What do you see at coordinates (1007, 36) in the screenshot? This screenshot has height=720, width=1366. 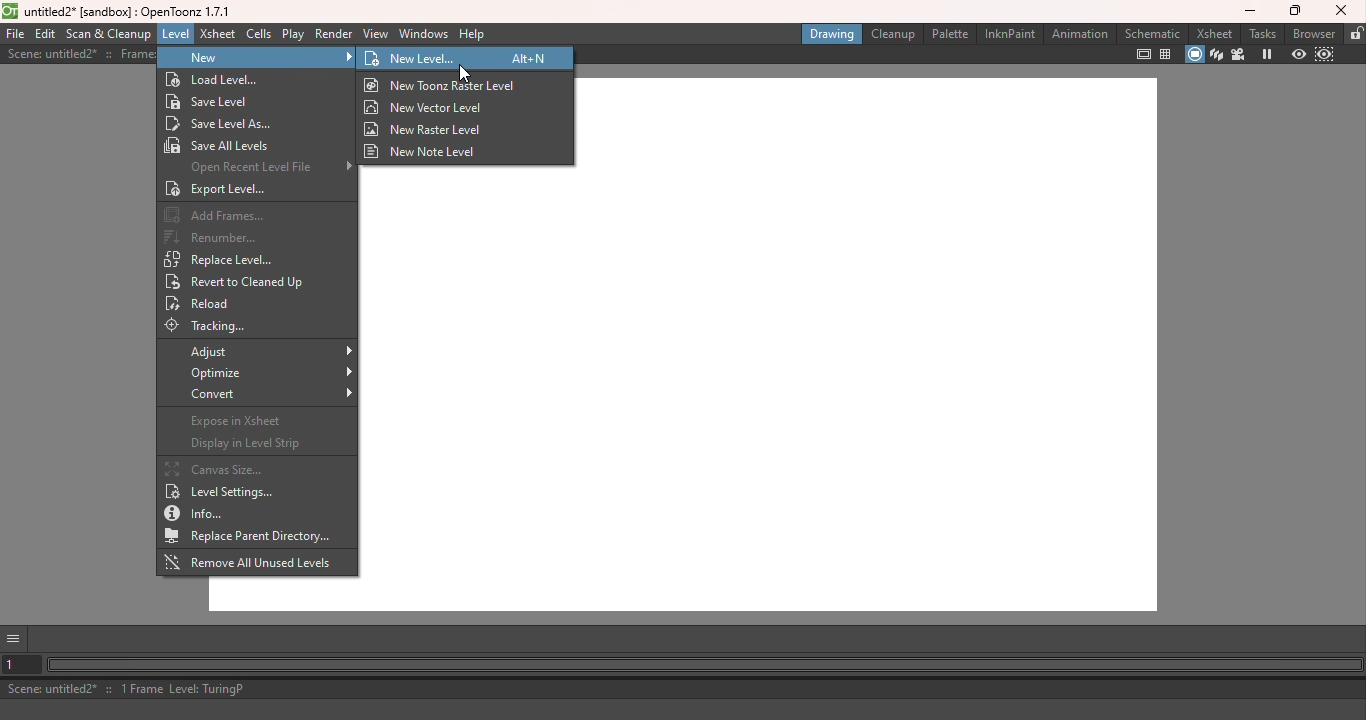 I see `InknPaint` at bounding box center [1007, 36].